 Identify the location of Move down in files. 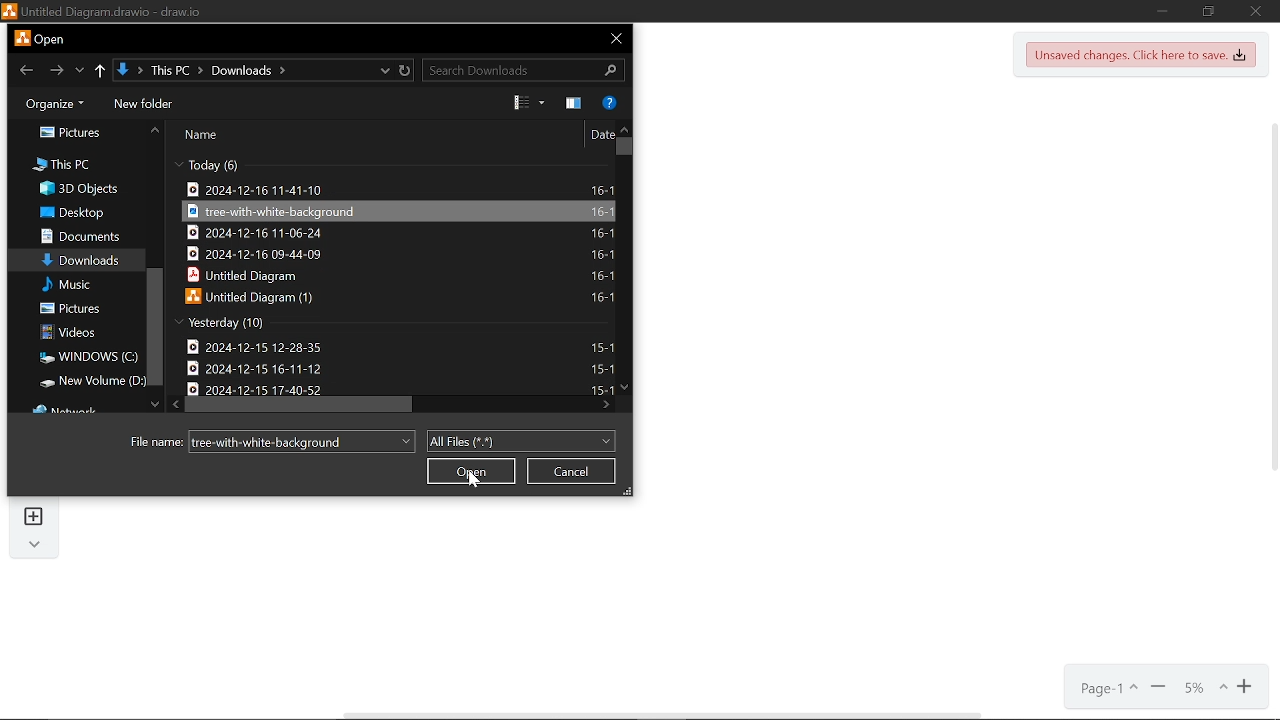
(624, 387).